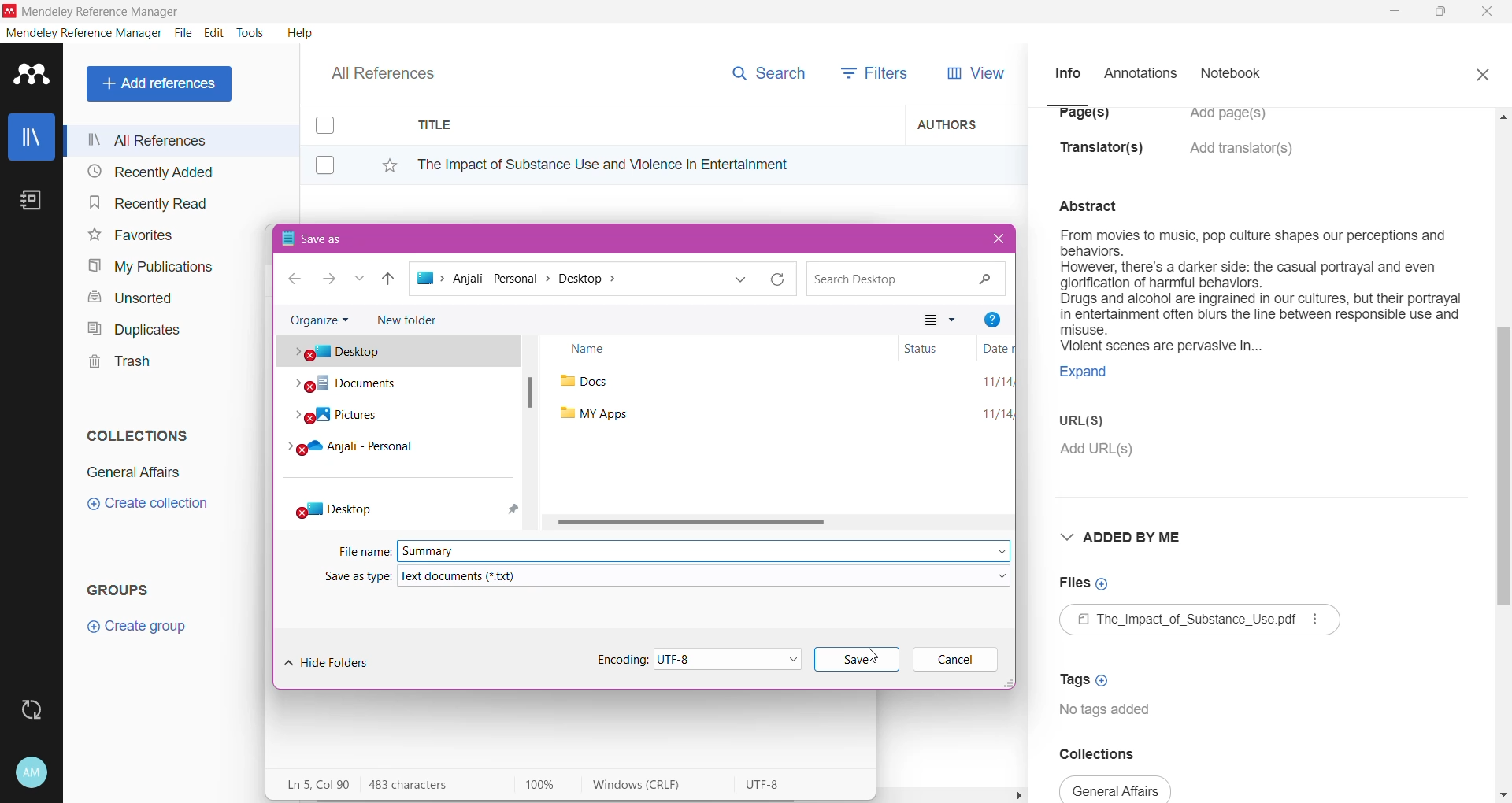  Describe the element at coordinates (928, 348) in the screenshot. I see `Status` at that location.